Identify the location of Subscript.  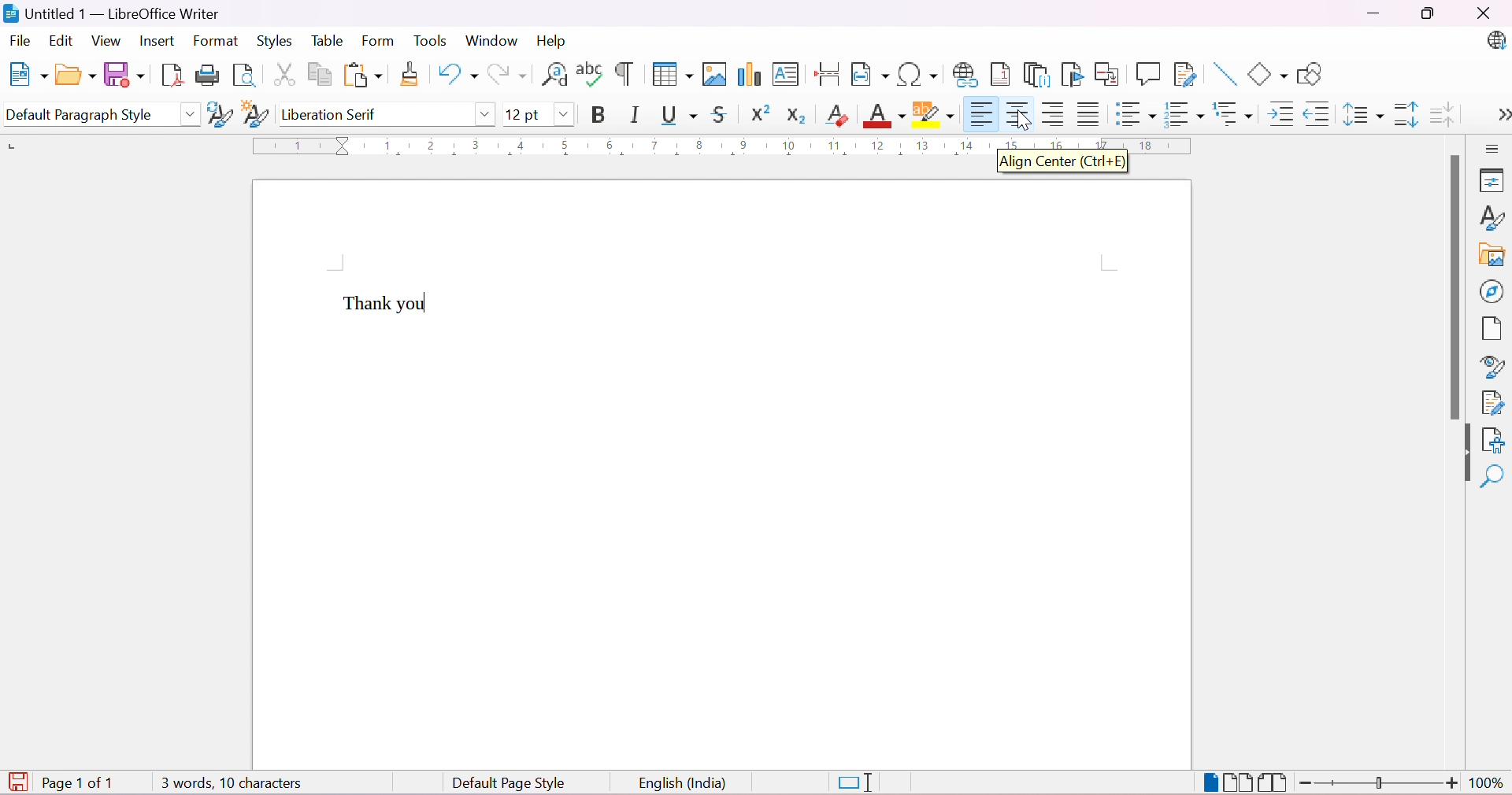
(795, 116).